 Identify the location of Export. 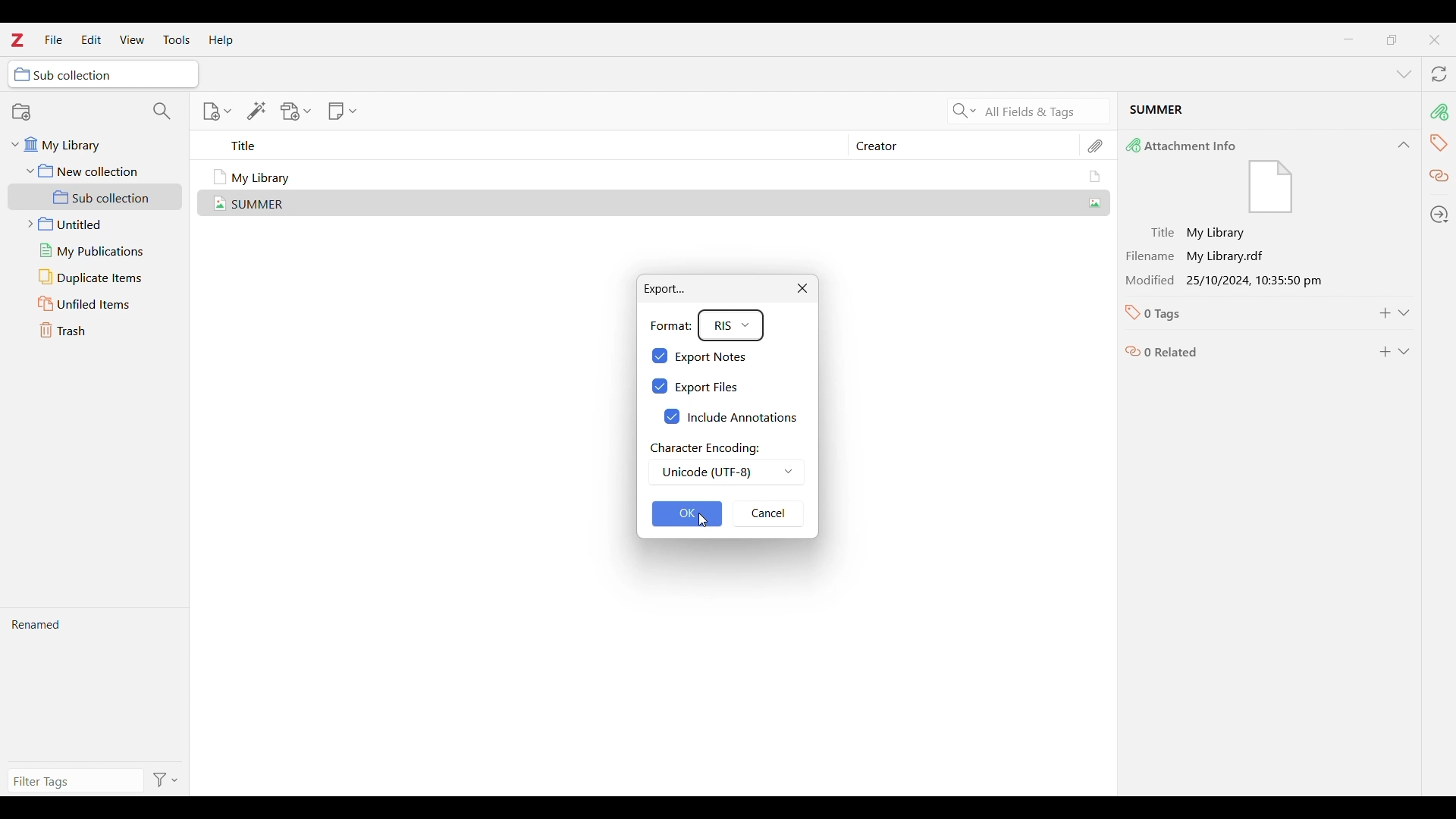
(712, 287).